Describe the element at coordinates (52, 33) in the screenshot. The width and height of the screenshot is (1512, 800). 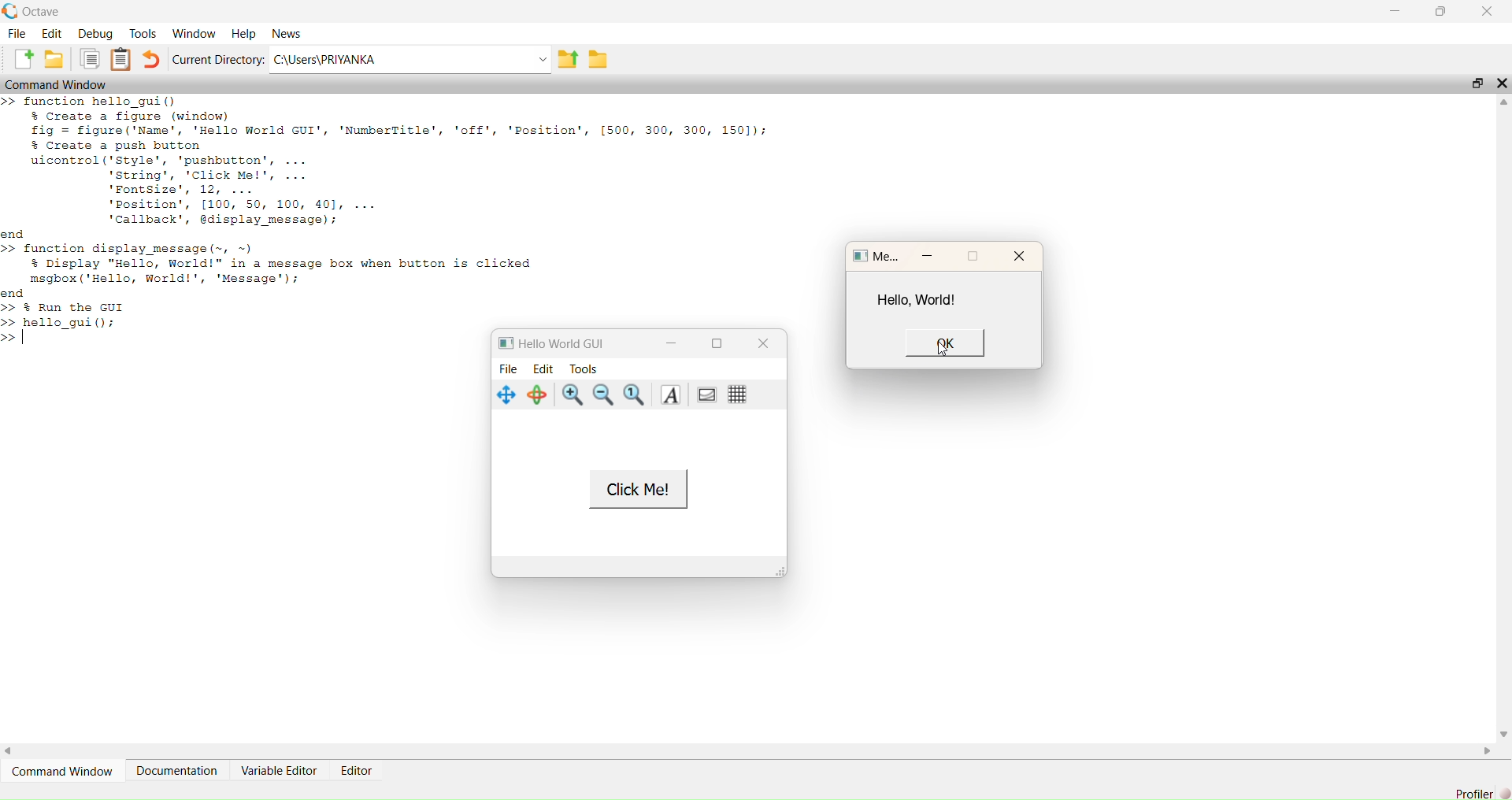
I see `Edit` at that location.